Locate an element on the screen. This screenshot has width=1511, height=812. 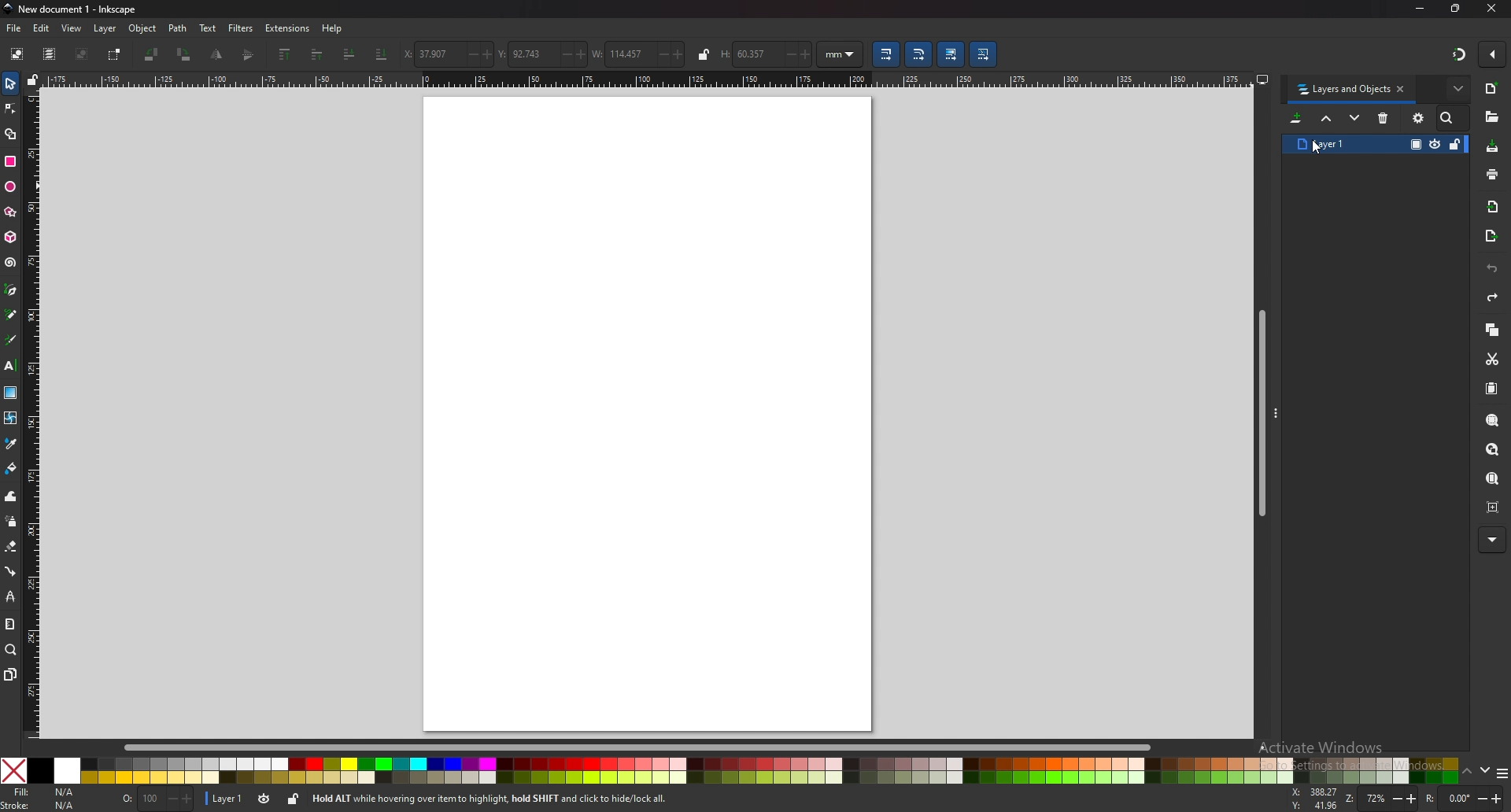
toggle selection box is located at coordinates (113, 55).